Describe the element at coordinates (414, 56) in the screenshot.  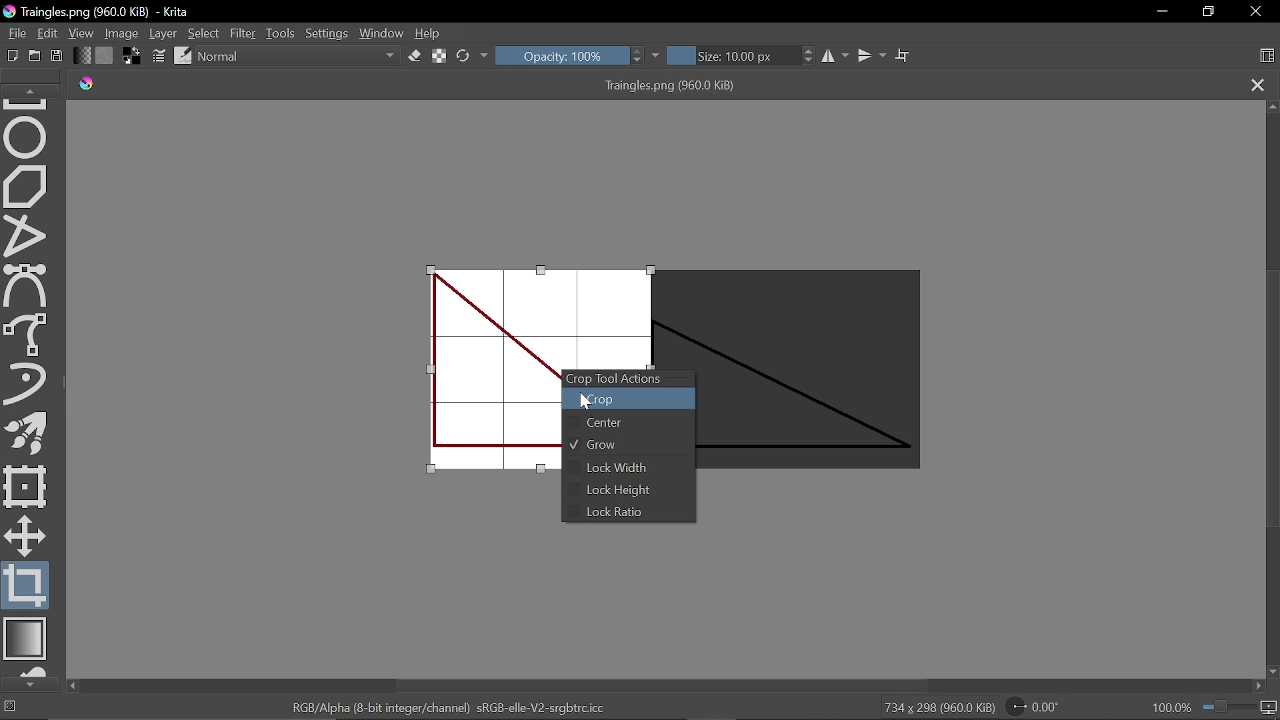
I see `Eraser` at that location.